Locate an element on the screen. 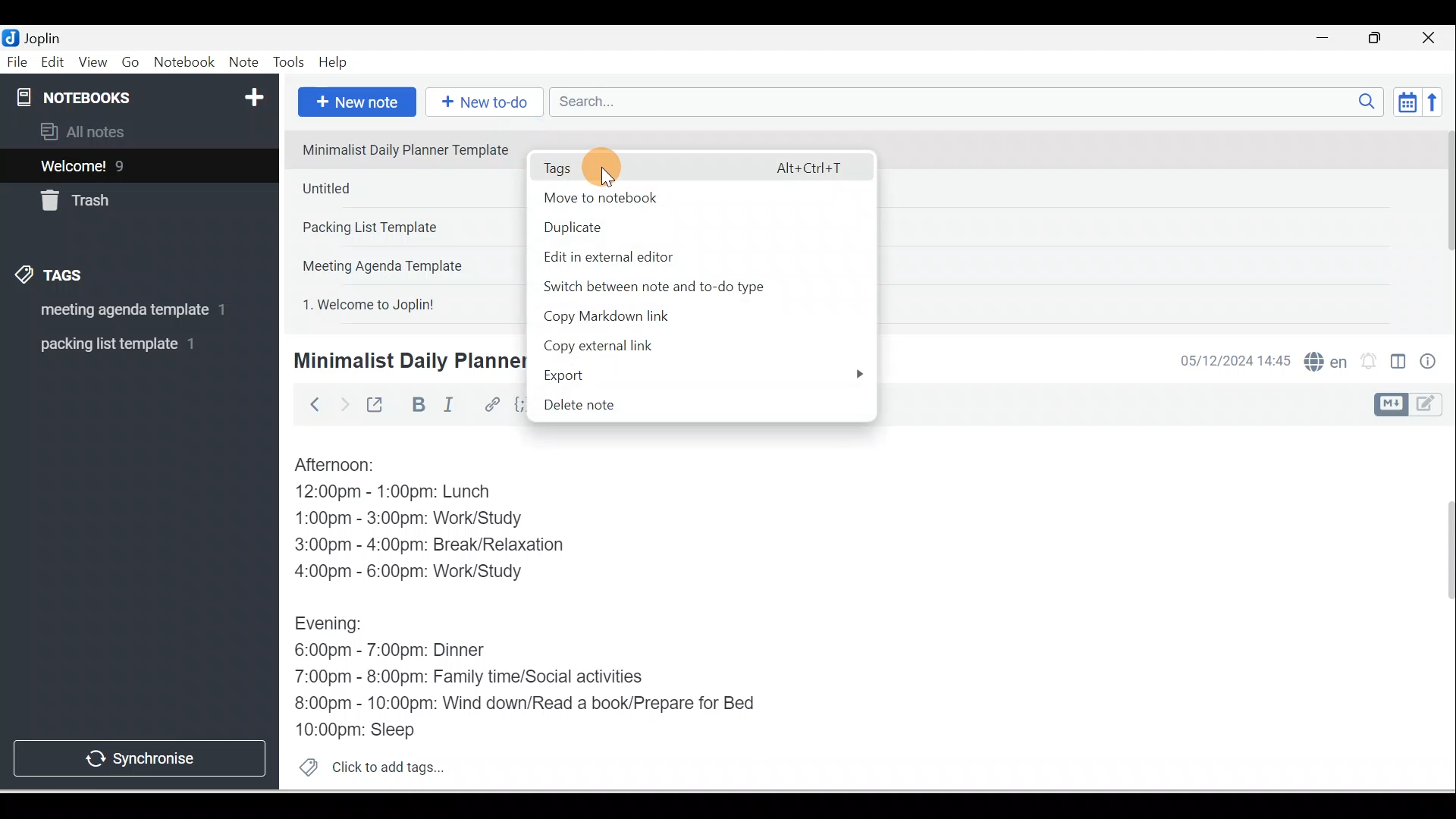 This screenshot has width=1456, height=819. New to-do is located at coordinates (481, 103).